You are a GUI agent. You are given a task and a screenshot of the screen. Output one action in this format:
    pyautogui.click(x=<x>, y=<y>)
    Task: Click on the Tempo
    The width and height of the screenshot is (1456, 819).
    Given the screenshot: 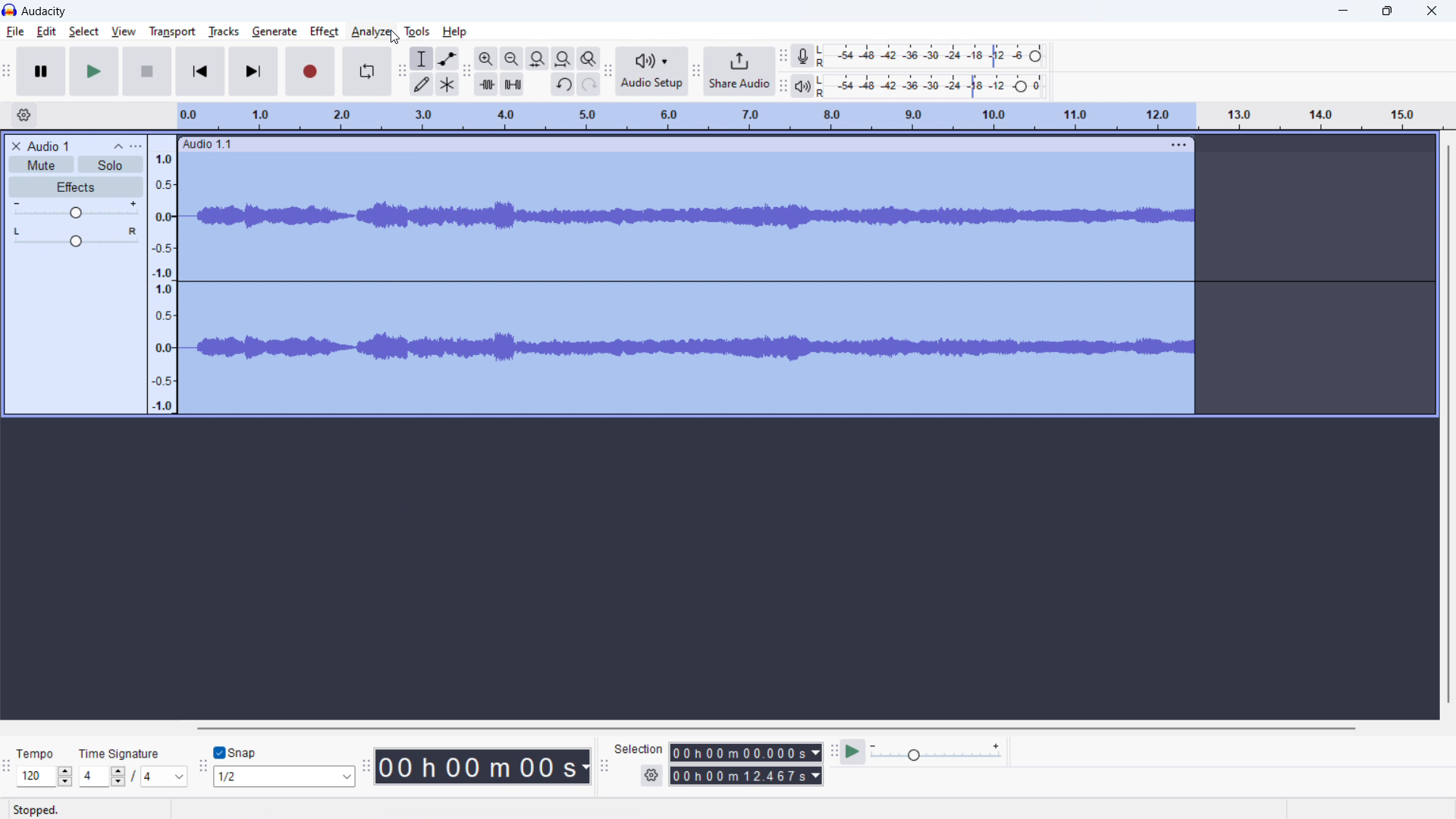 What is the action you would take?
    pyautogui.click(x=44, y=748)
    